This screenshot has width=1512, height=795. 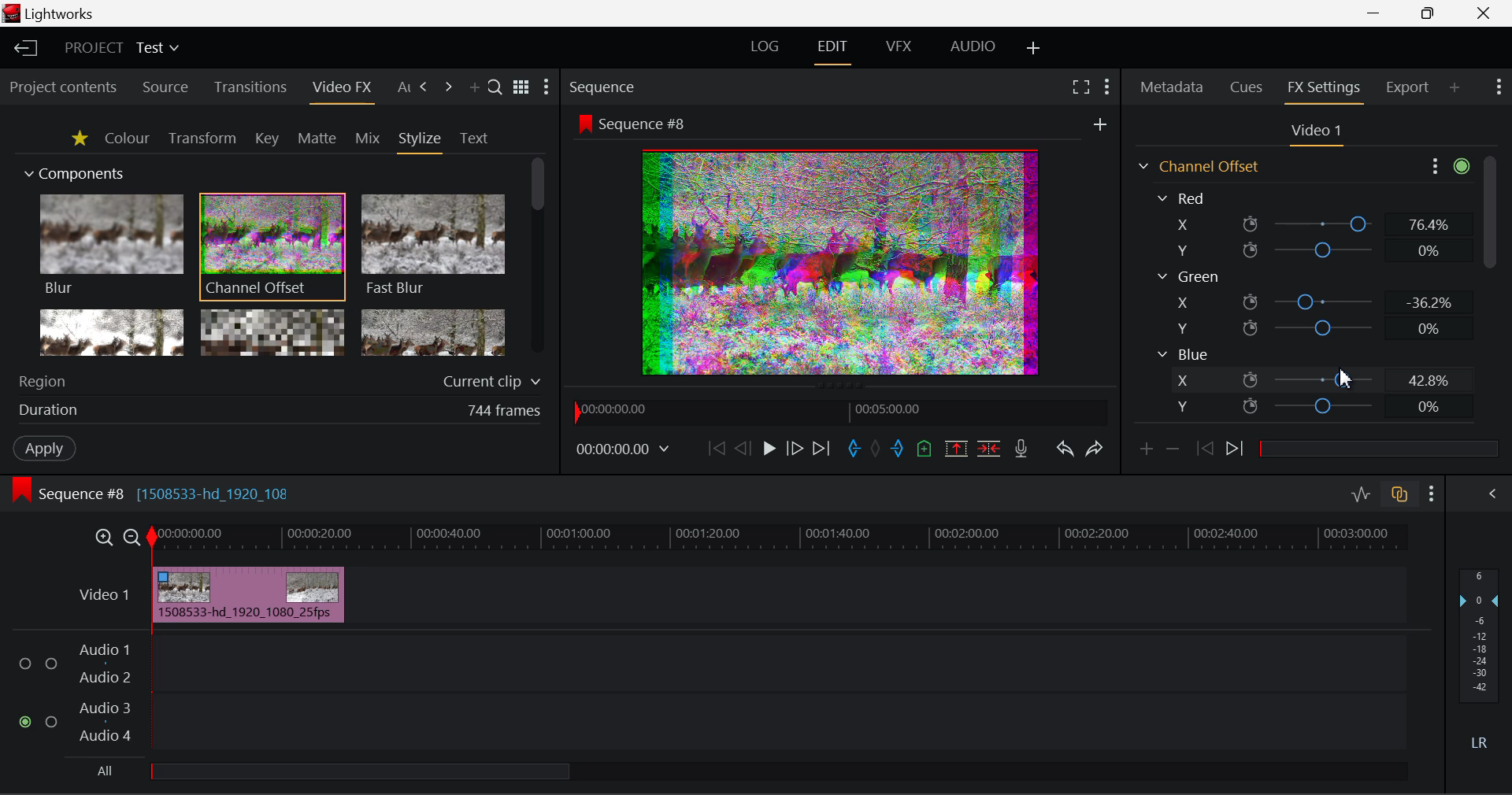 What do you see at coordinates (1431, 13) in the screenshot?
I see `Minimize` at bounding box center [1431, 13].